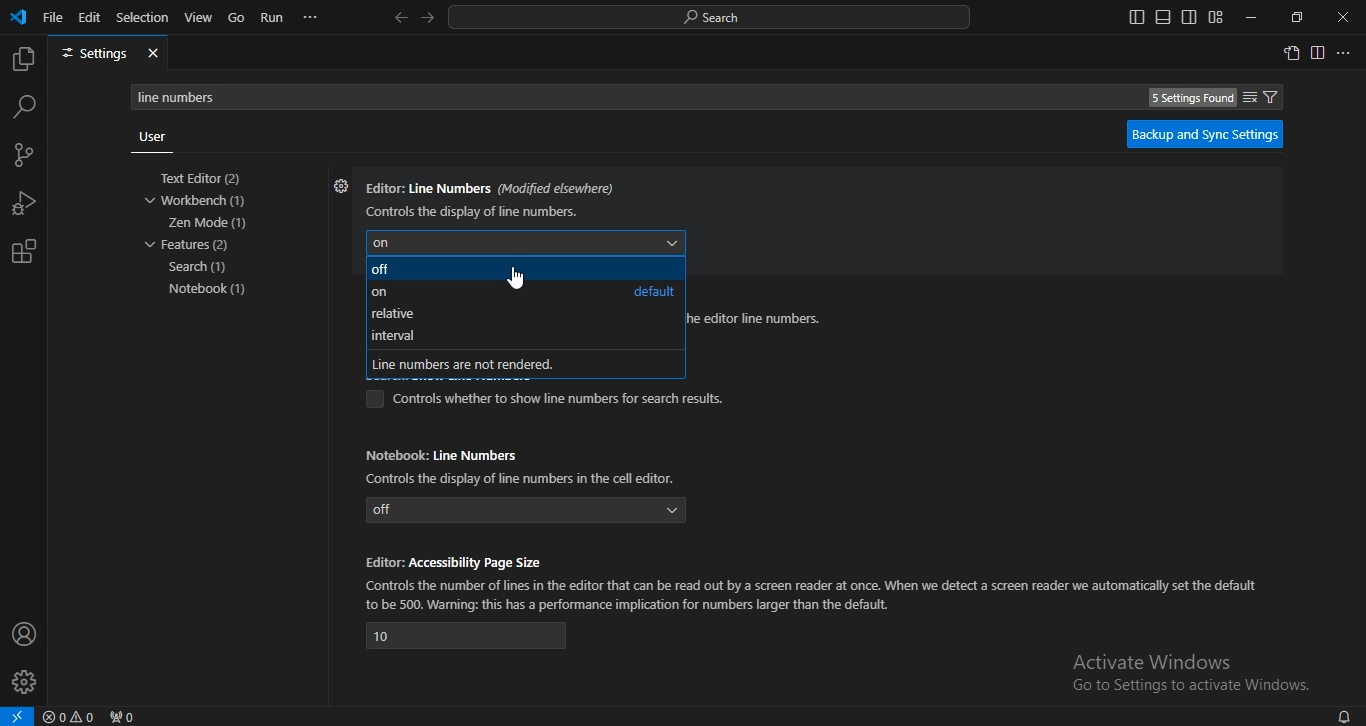  I want to click on ..., so click(311, 17).